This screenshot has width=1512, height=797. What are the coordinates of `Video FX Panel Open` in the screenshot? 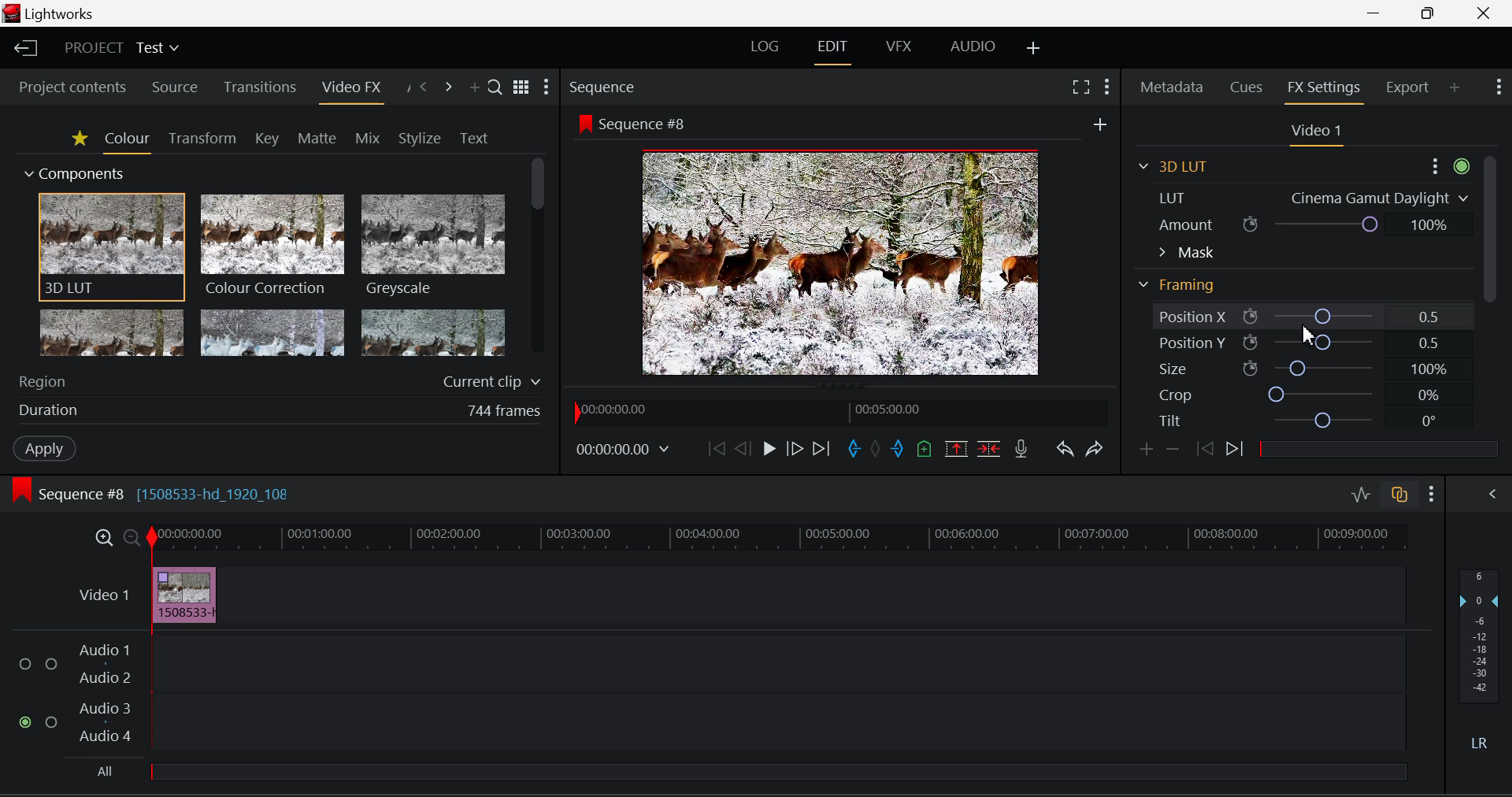 It's located at (353, 91).